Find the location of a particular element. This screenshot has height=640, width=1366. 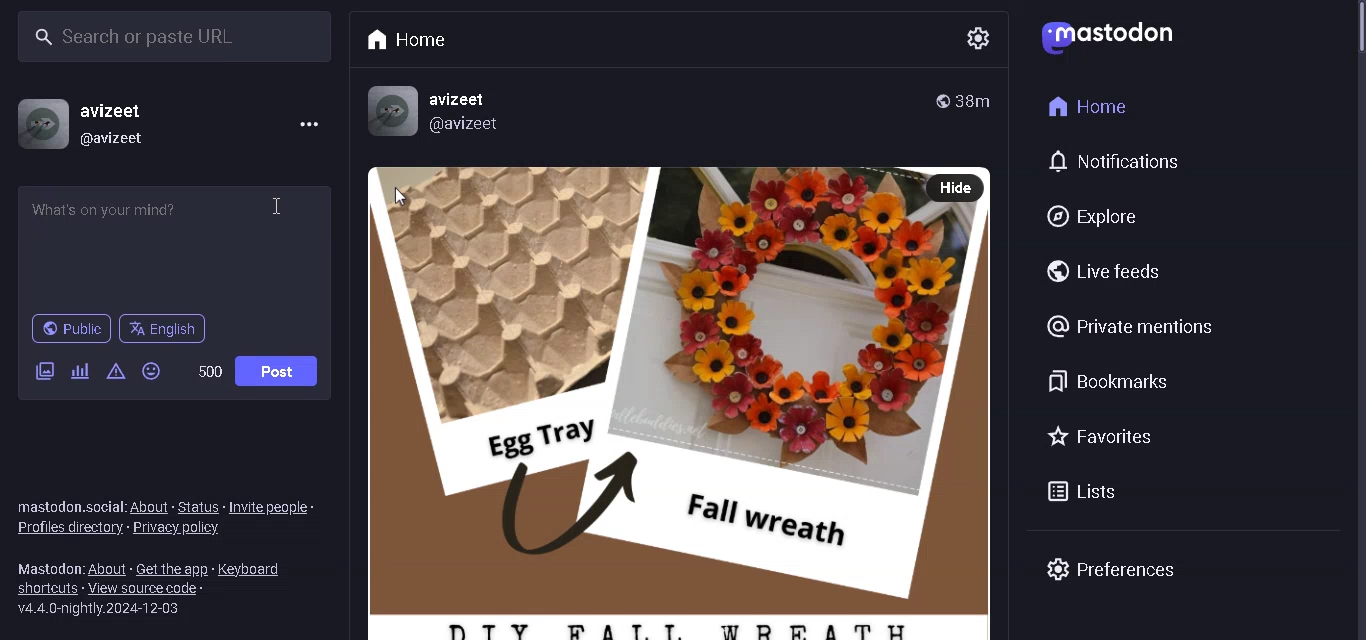

private mentions is located at coordinates (1131, 327).